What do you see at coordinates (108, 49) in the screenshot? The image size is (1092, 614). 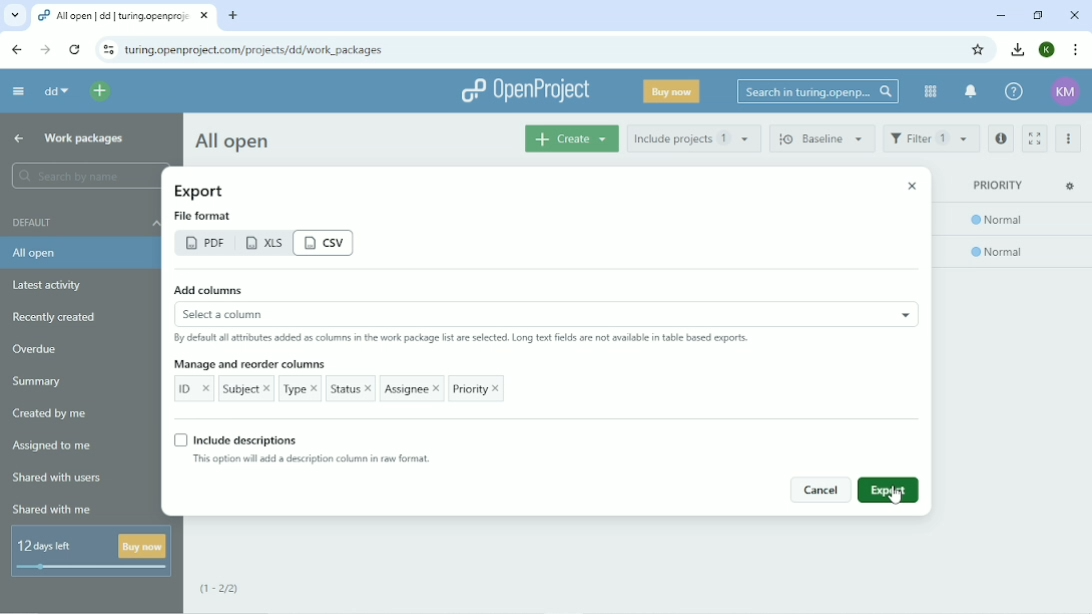 I see `View site information` at bounding box center [108, 49].